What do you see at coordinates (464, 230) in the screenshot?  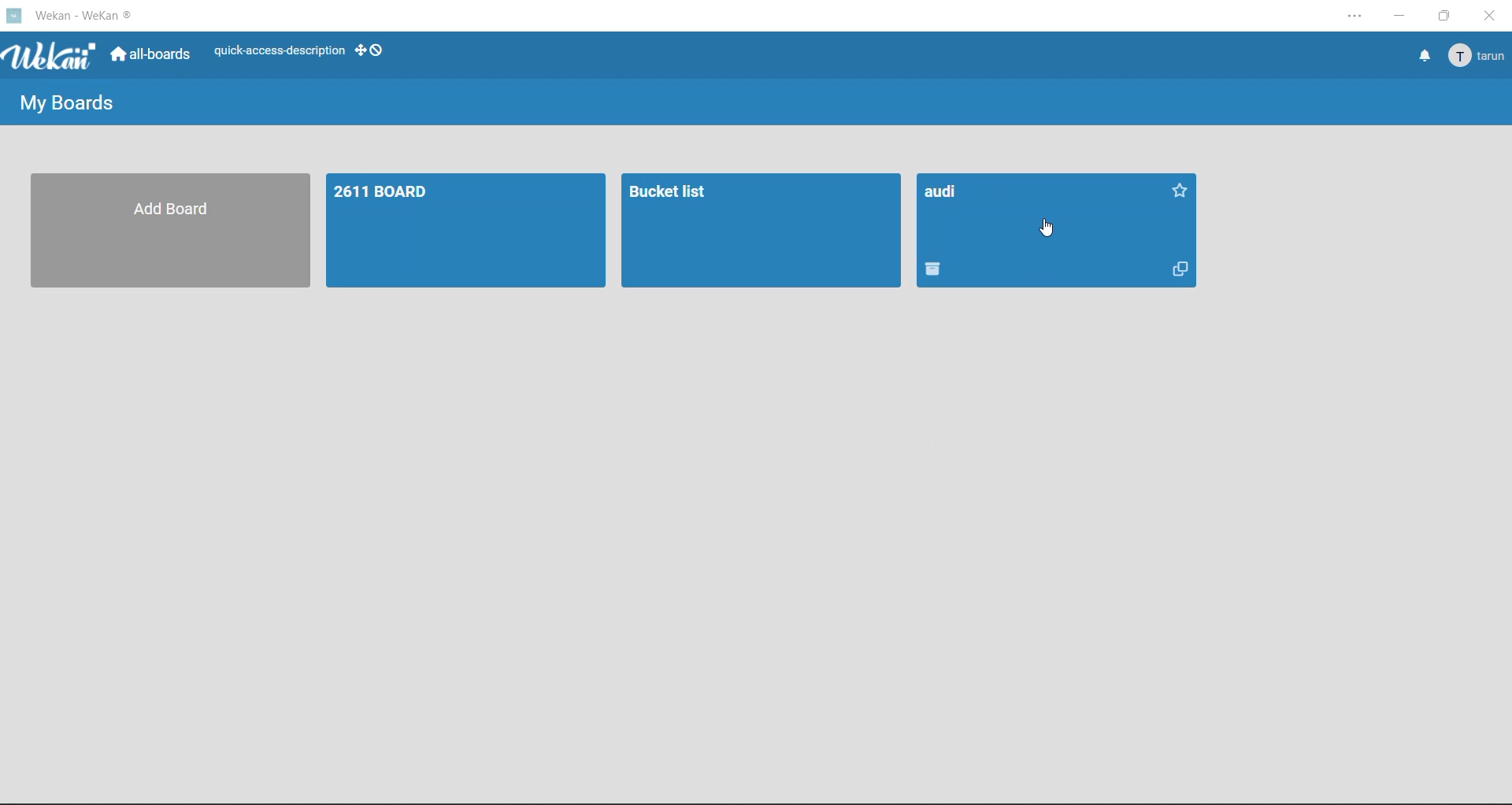 I see `board 1` at bounding box center [464, 230].